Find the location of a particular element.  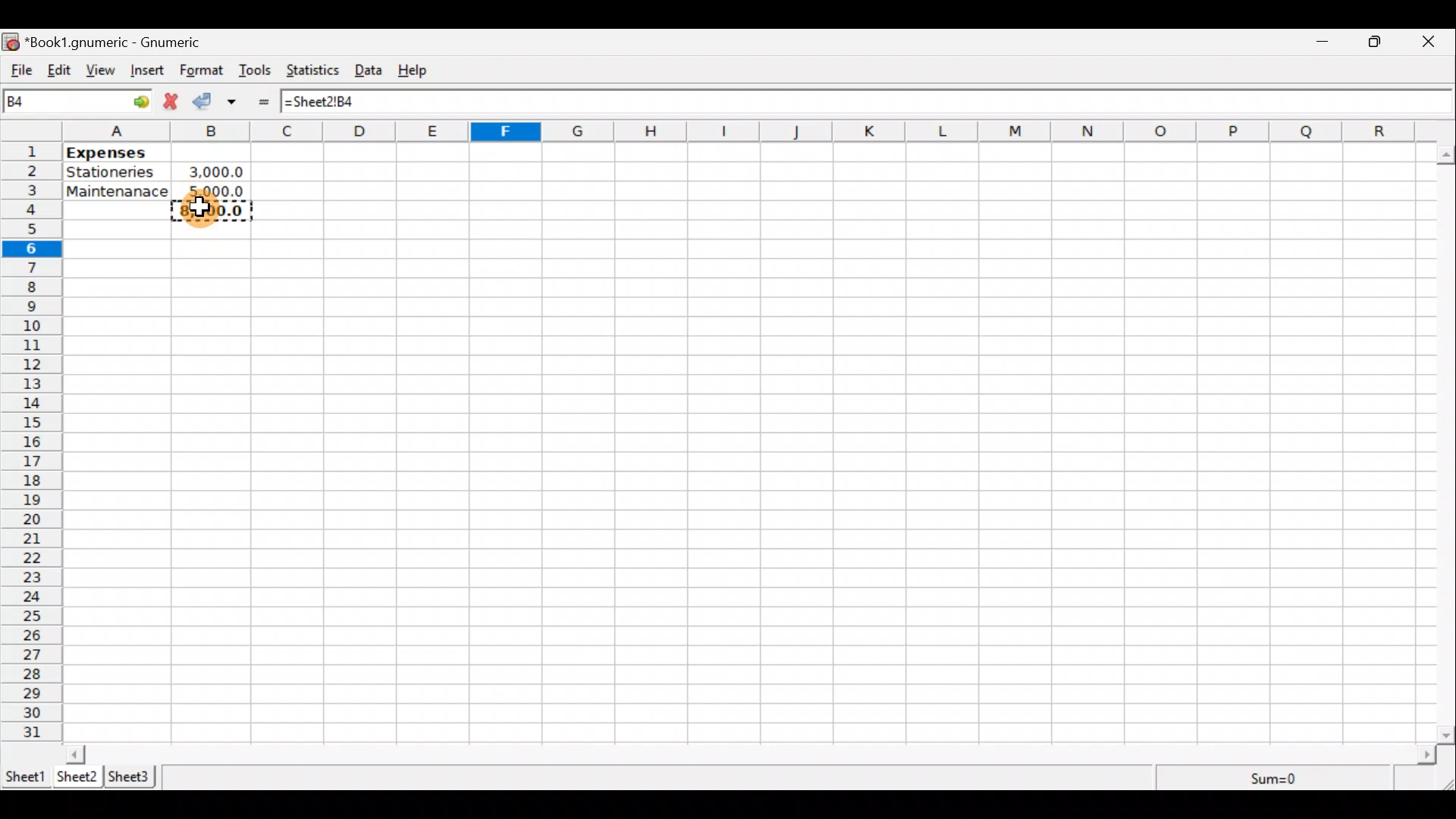

icon is located at coordinates (12, 42).